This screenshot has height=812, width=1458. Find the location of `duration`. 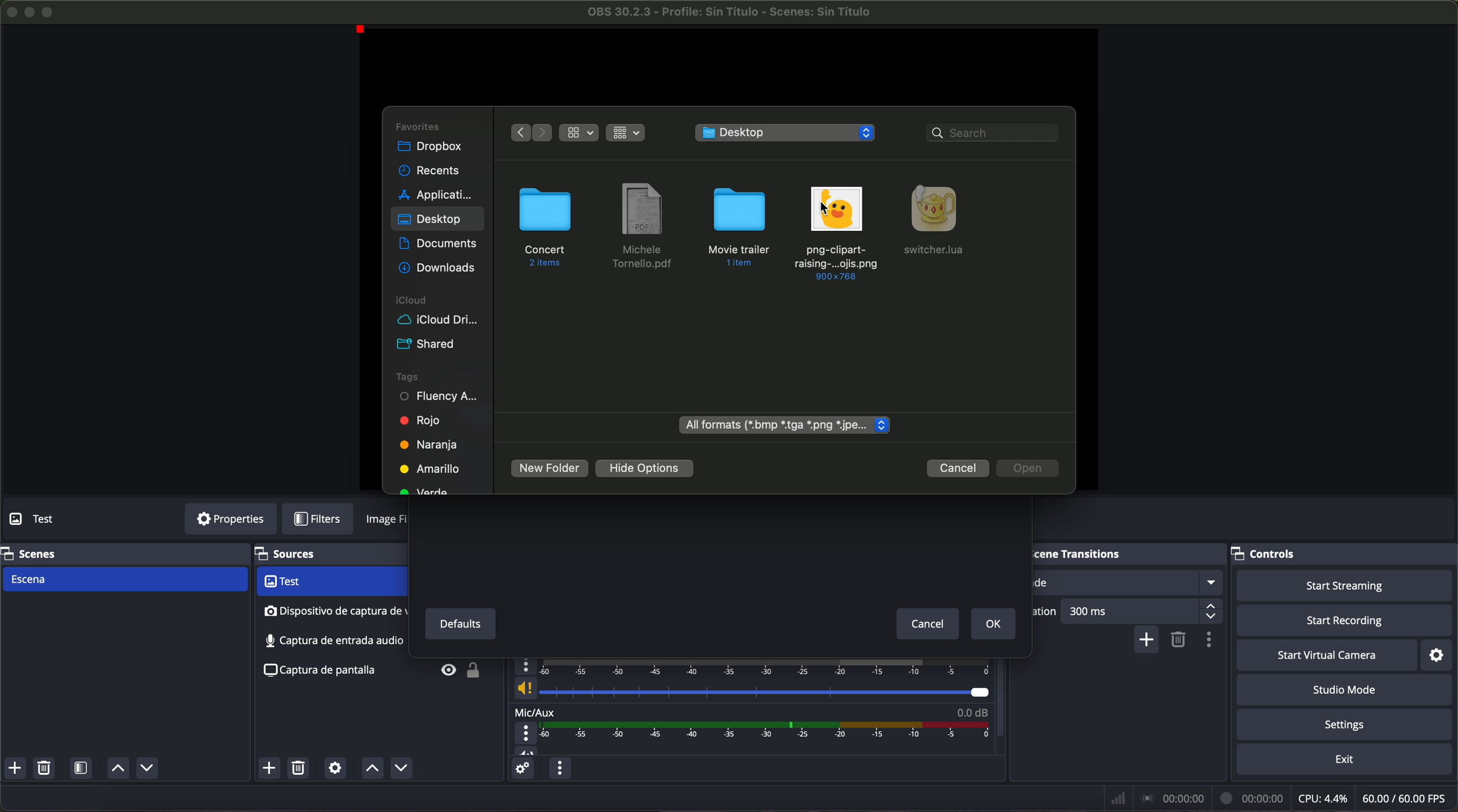

duration is located at coordinates (1047, 613).